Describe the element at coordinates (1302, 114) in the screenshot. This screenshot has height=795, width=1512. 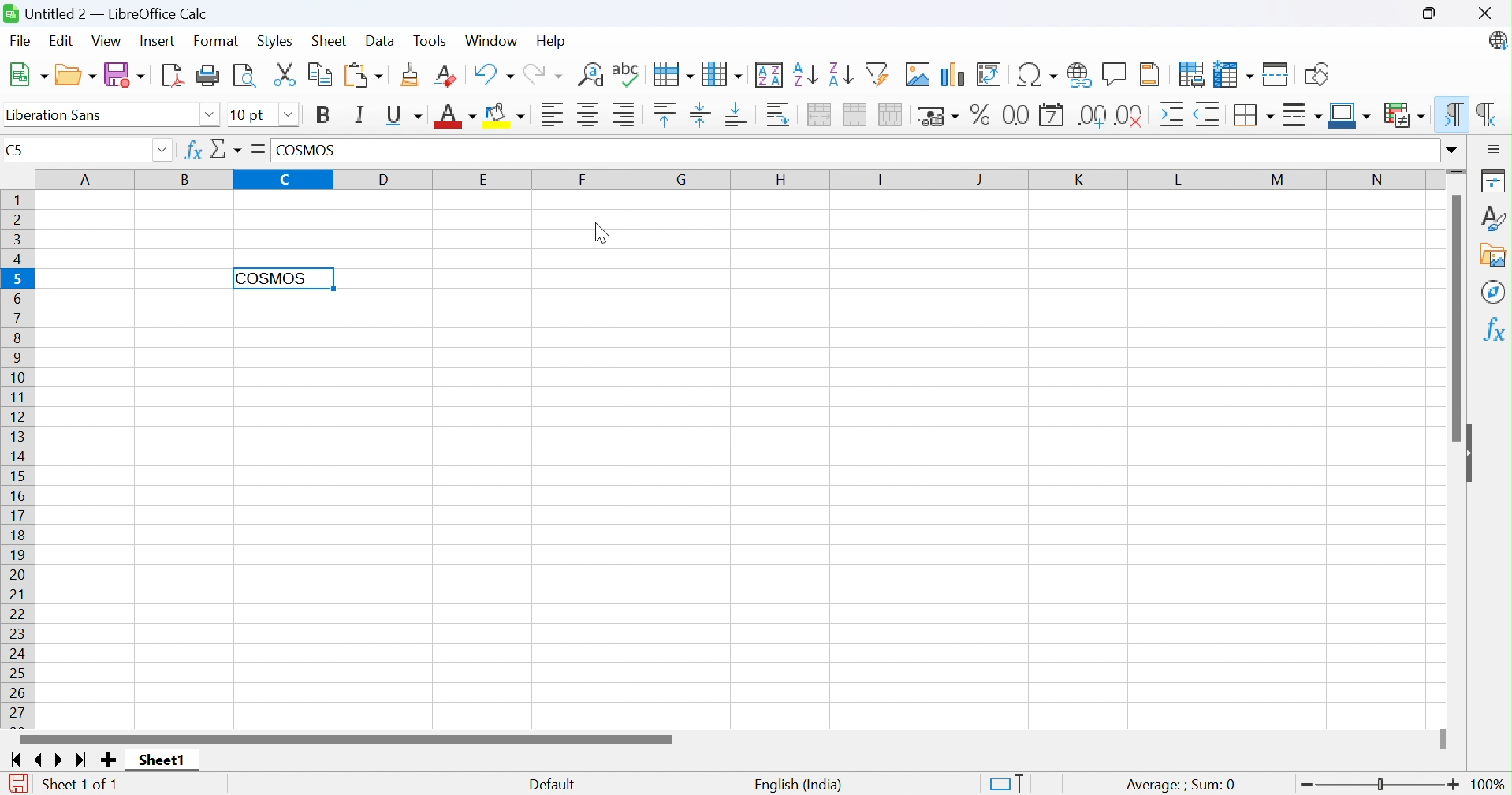
I see `Border style` at that location.